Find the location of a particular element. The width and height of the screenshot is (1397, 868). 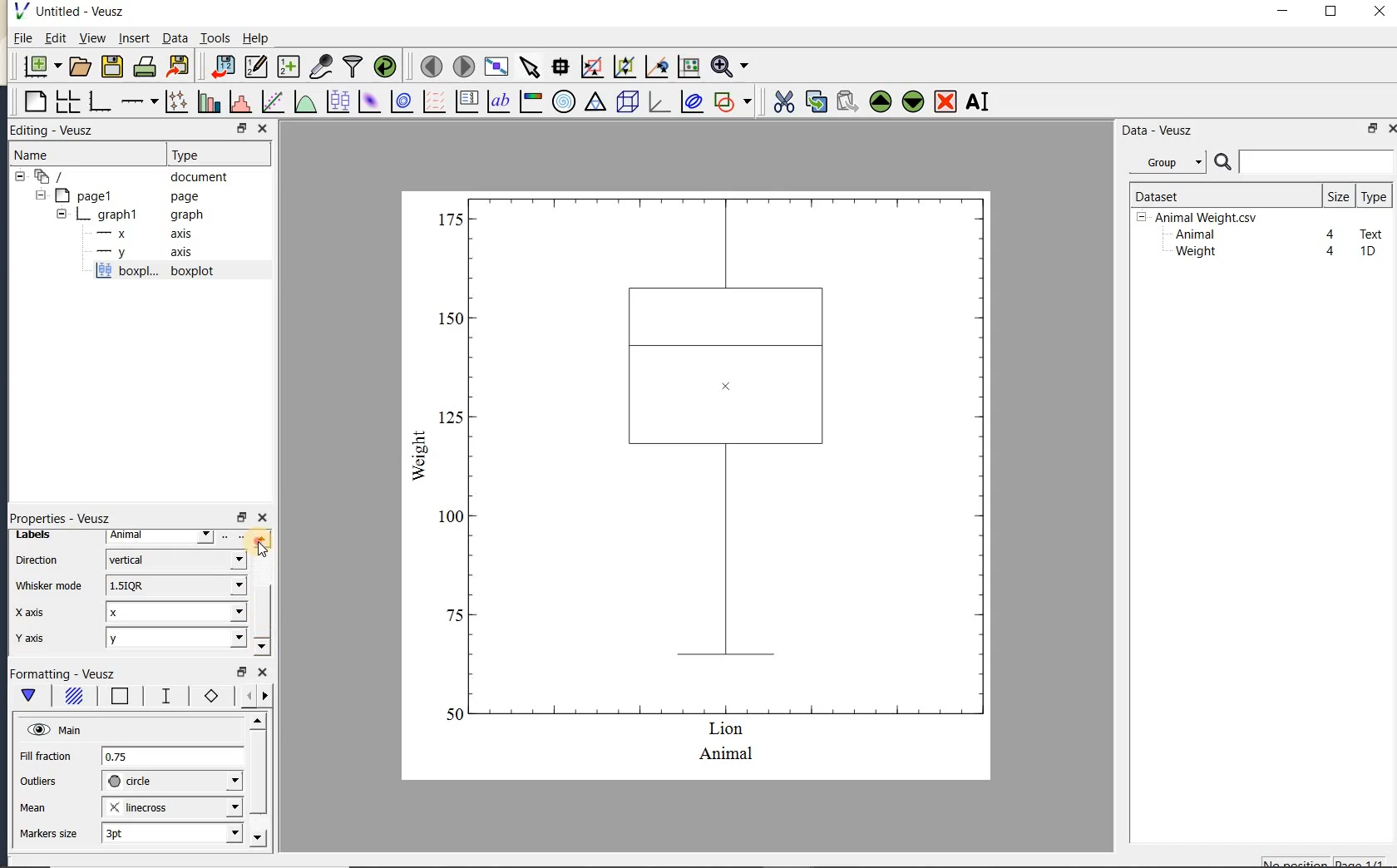

Text is located at coordinates (1372, 232).